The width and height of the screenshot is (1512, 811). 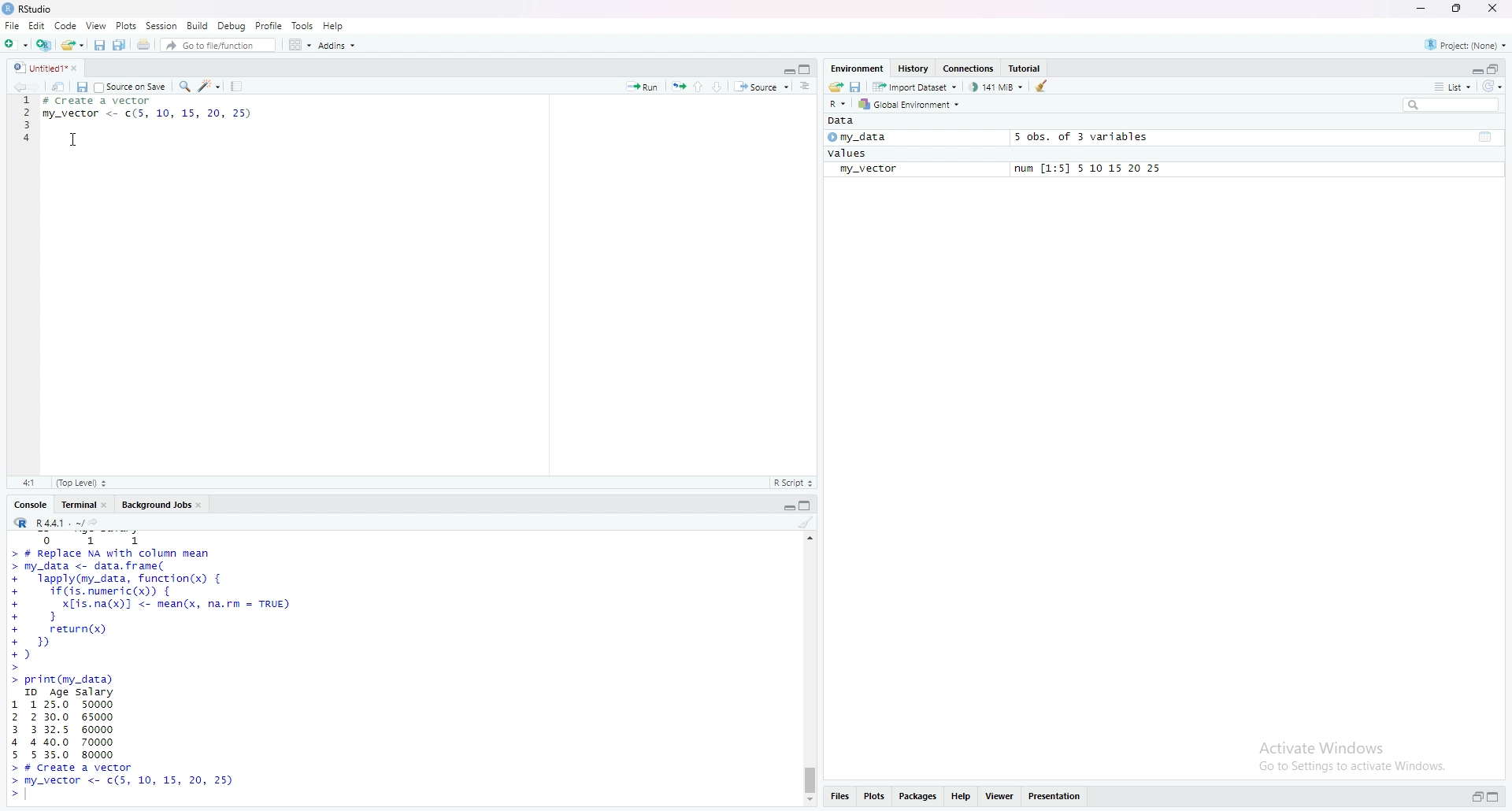 I want to click on my_vector, so click(x=869, y=170).